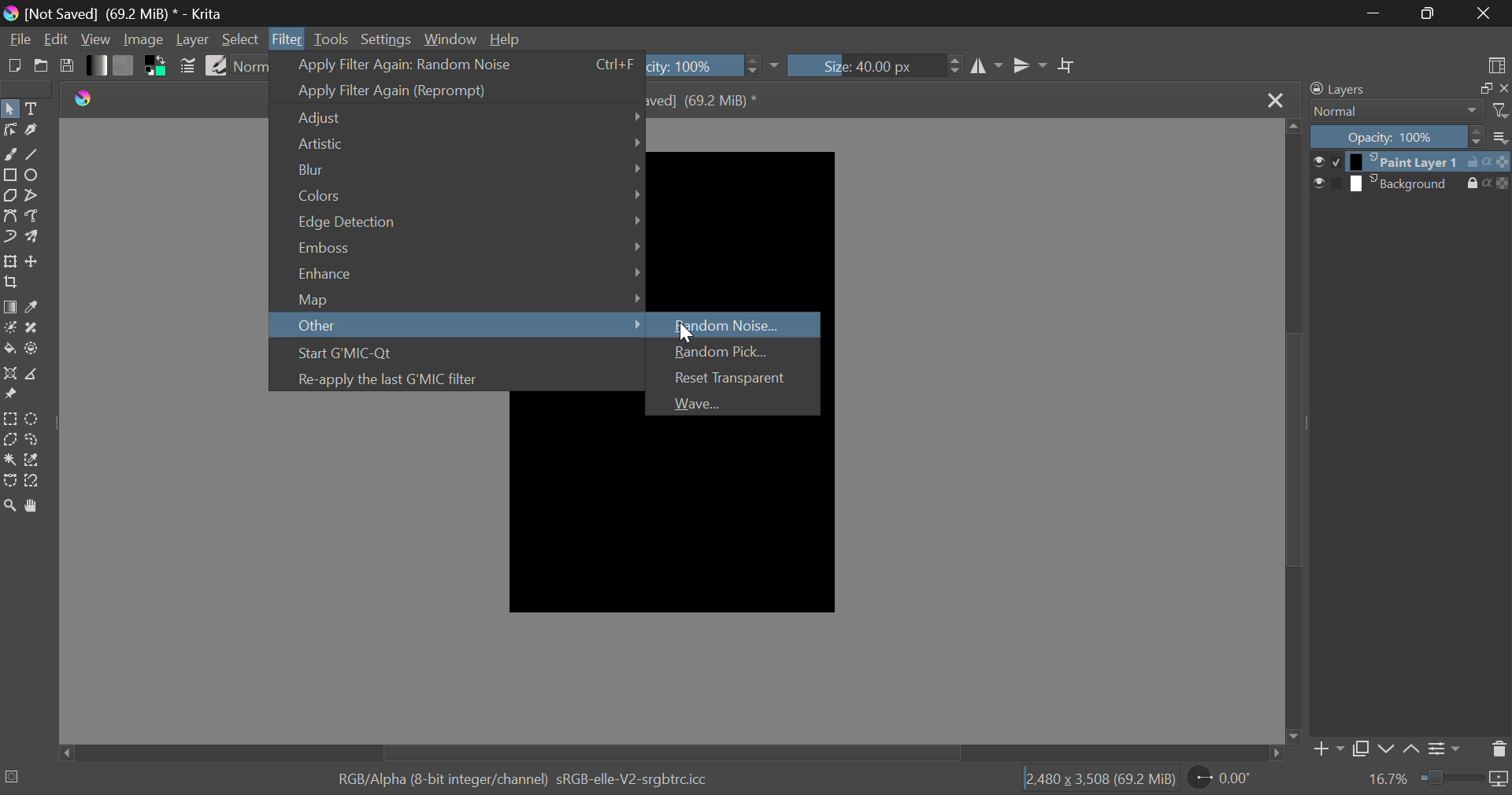  I want to click on Scroll Bar, so click(1293, 429).